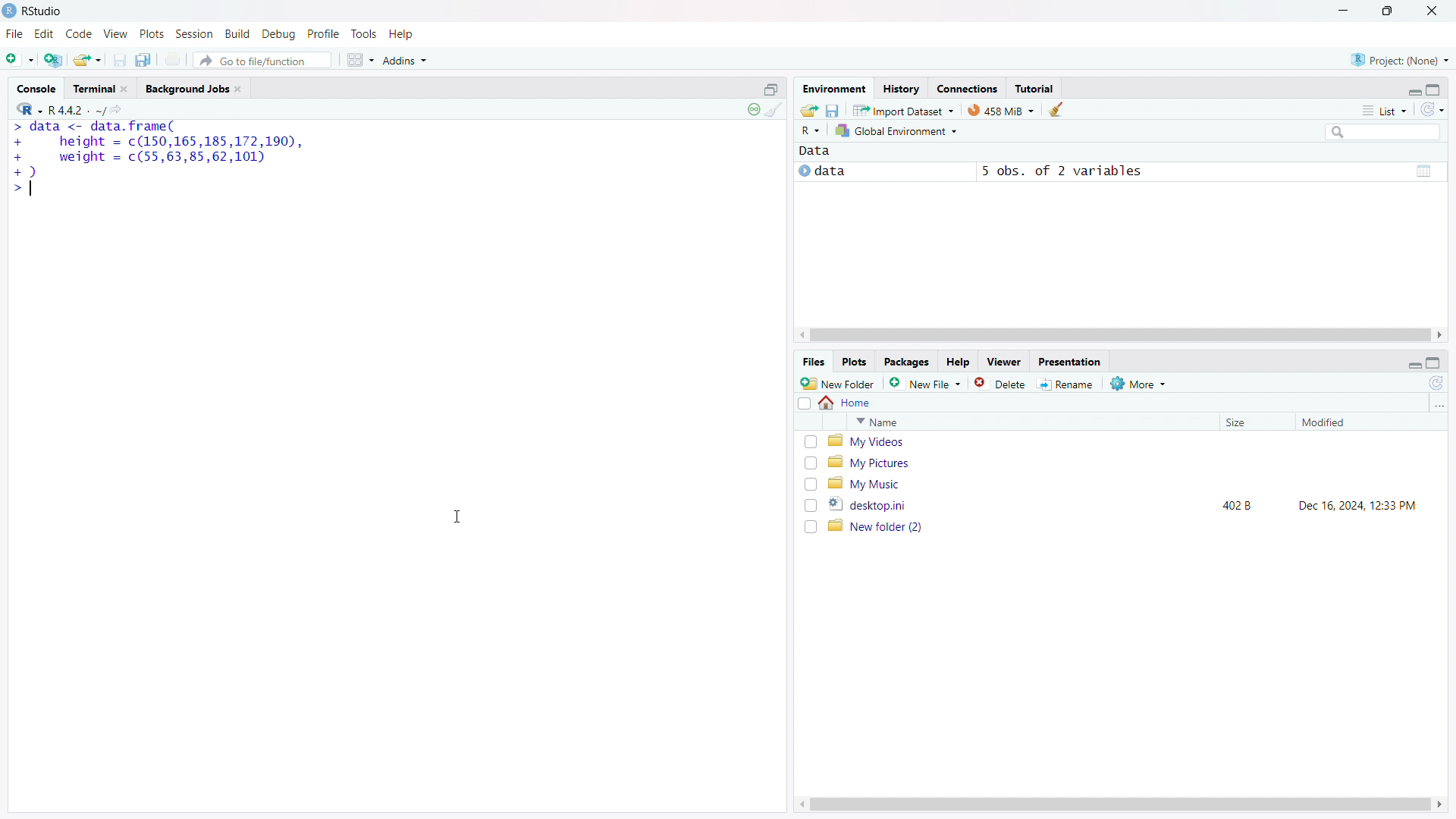 This screenshot has height=819, width=1456. Describe the element at coordinates (457, 517) in the screenshot. I see `cursor` at that location.